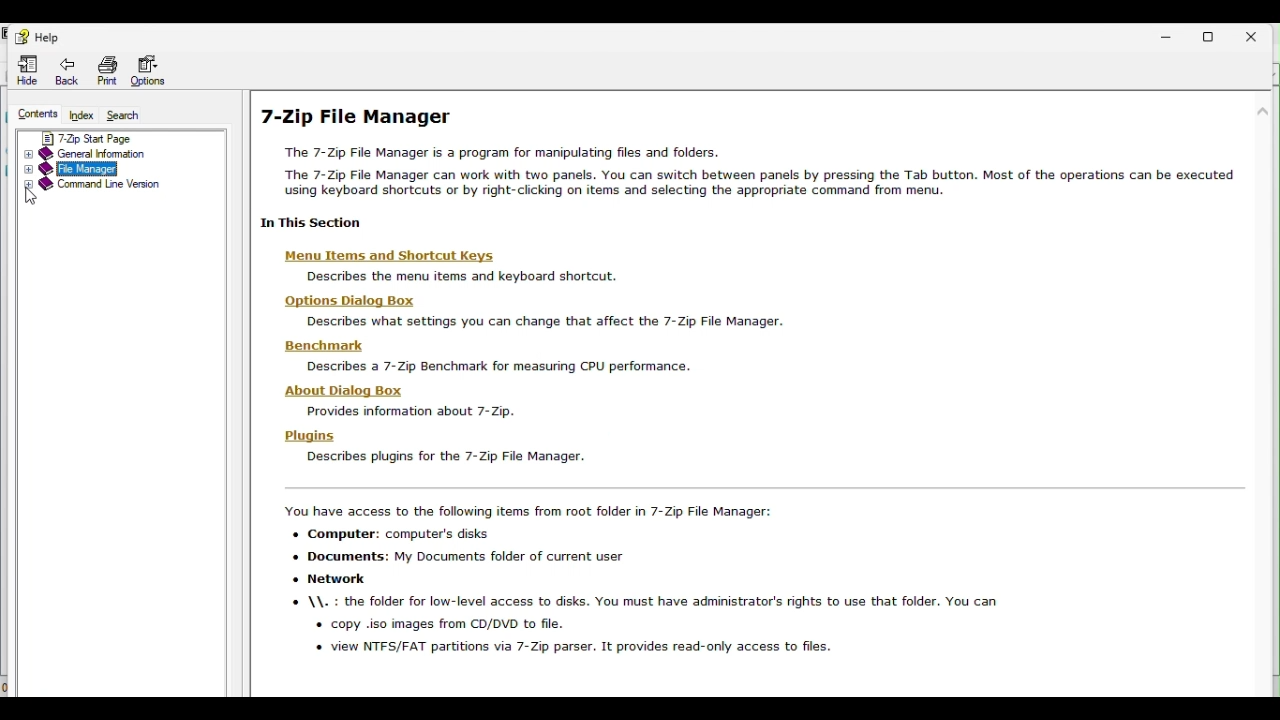 The width and height of the screenshot is (1280, 720). Describe the element at coordinates (311, 436) in the screenshot. I see `plugins` at that location.